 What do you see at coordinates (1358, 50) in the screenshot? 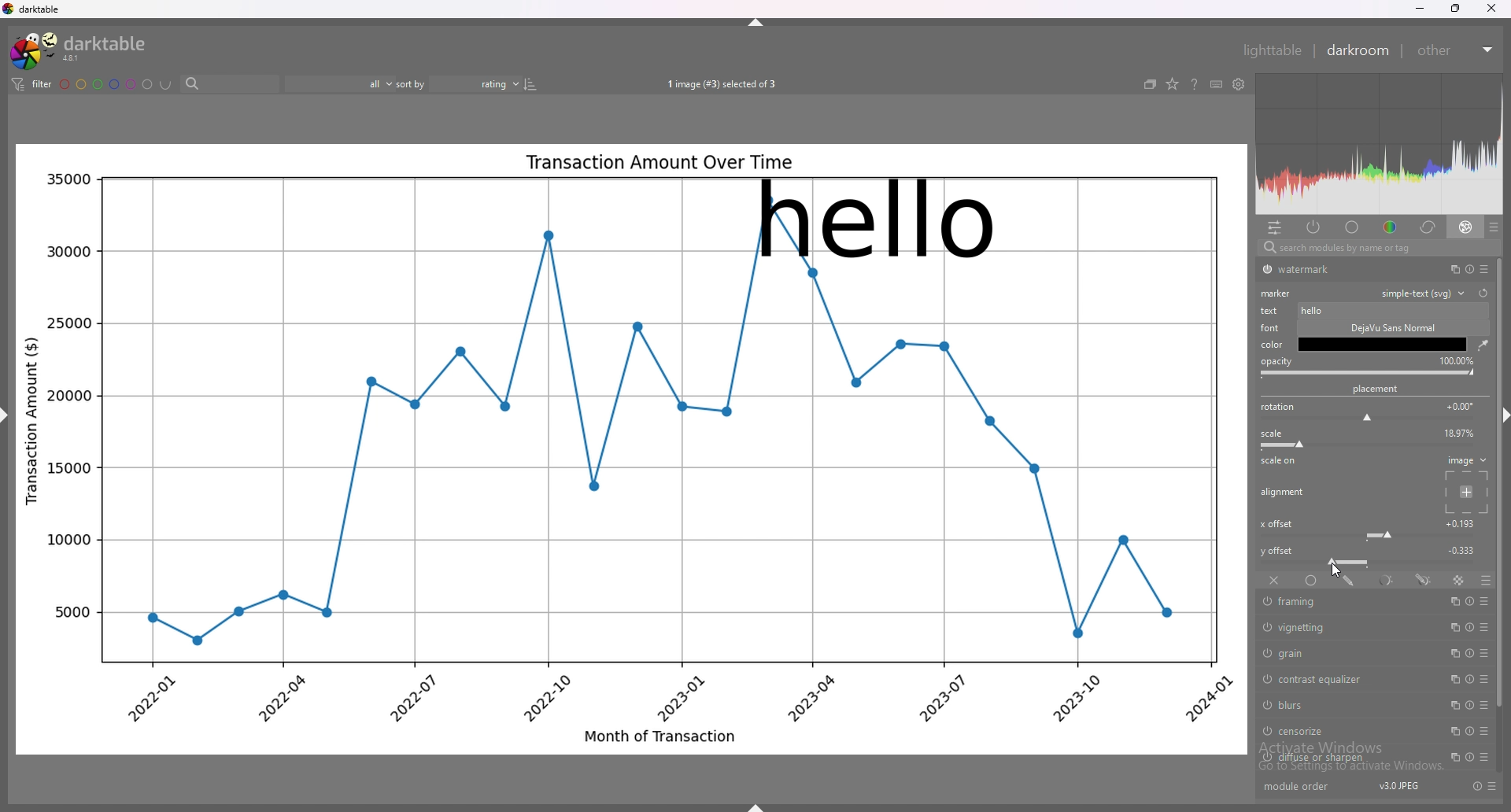
I see `darkroom` at bounding box center [1358, 50].